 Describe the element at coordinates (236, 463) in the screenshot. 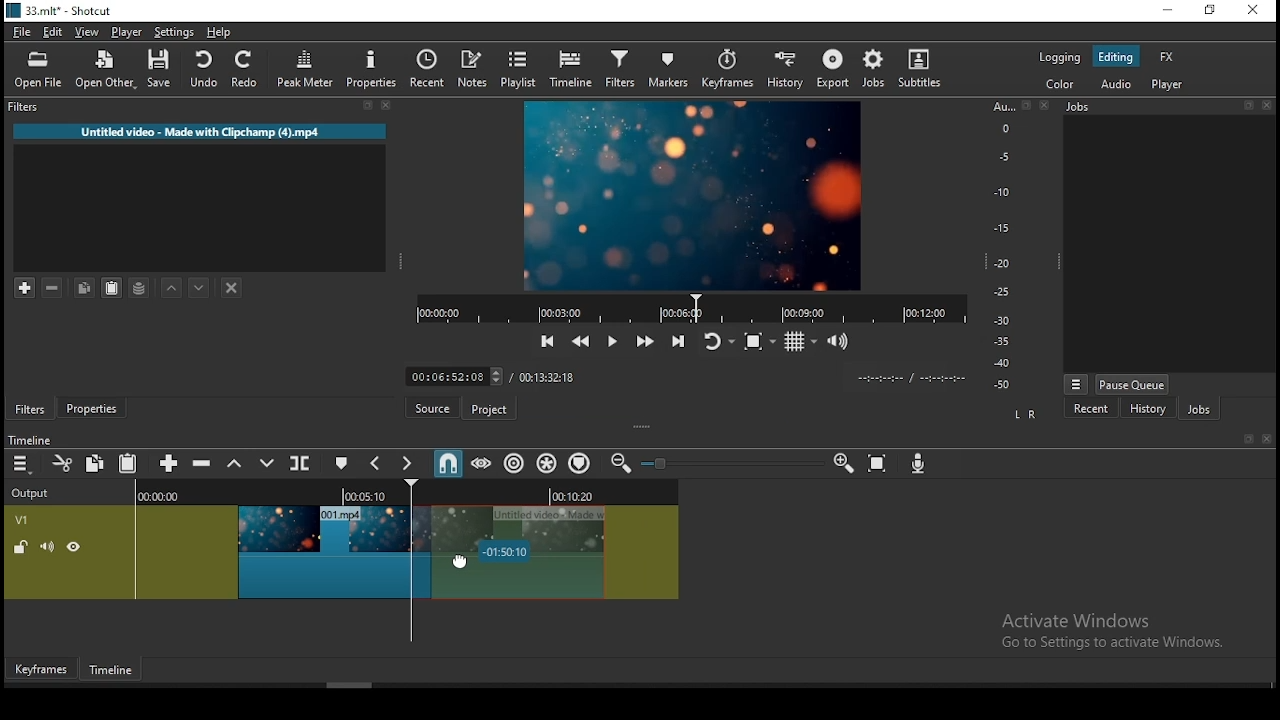

I see `lift` at that location.